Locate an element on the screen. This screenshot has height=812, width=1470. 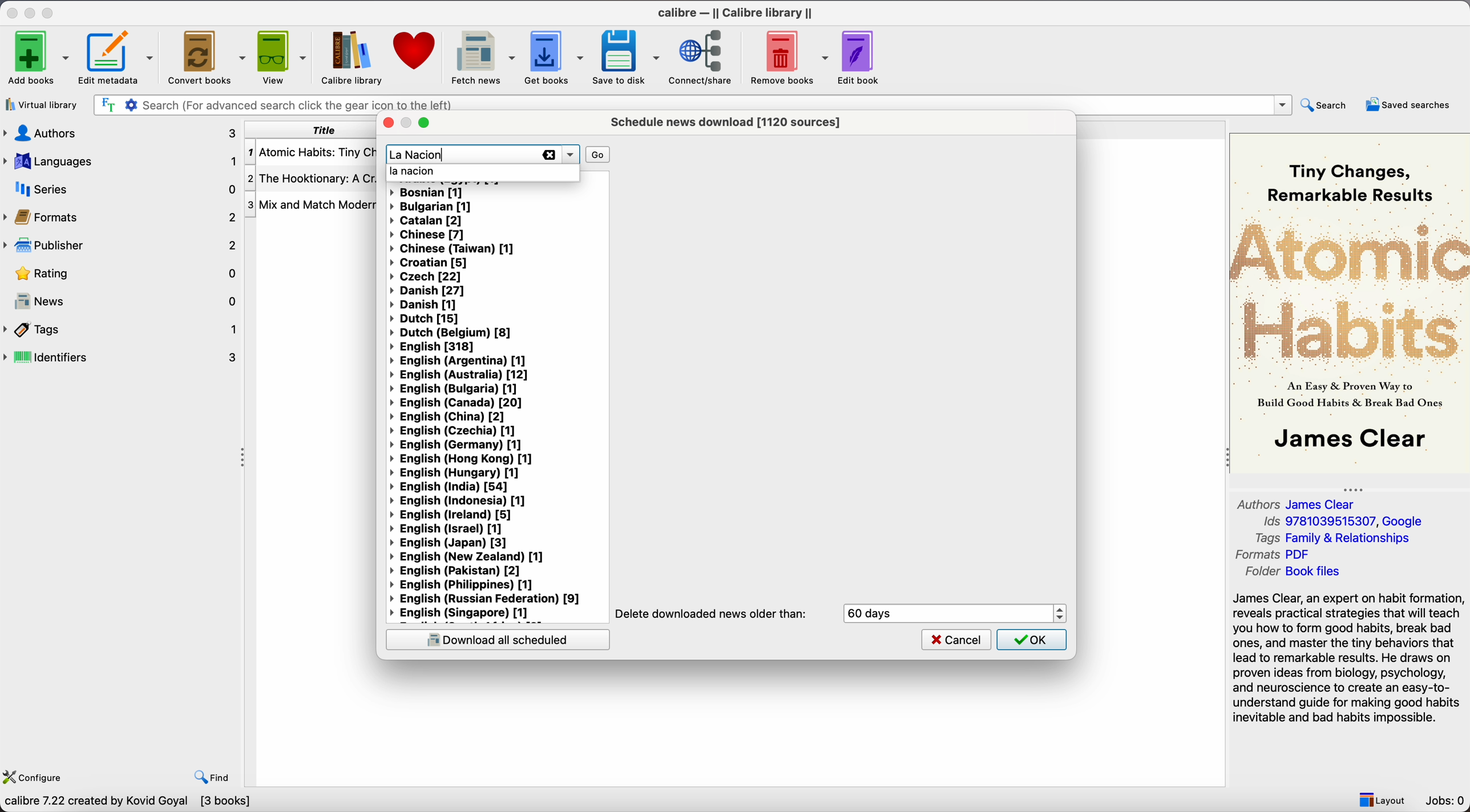
download scheduled is located at coordinates (497, 639).